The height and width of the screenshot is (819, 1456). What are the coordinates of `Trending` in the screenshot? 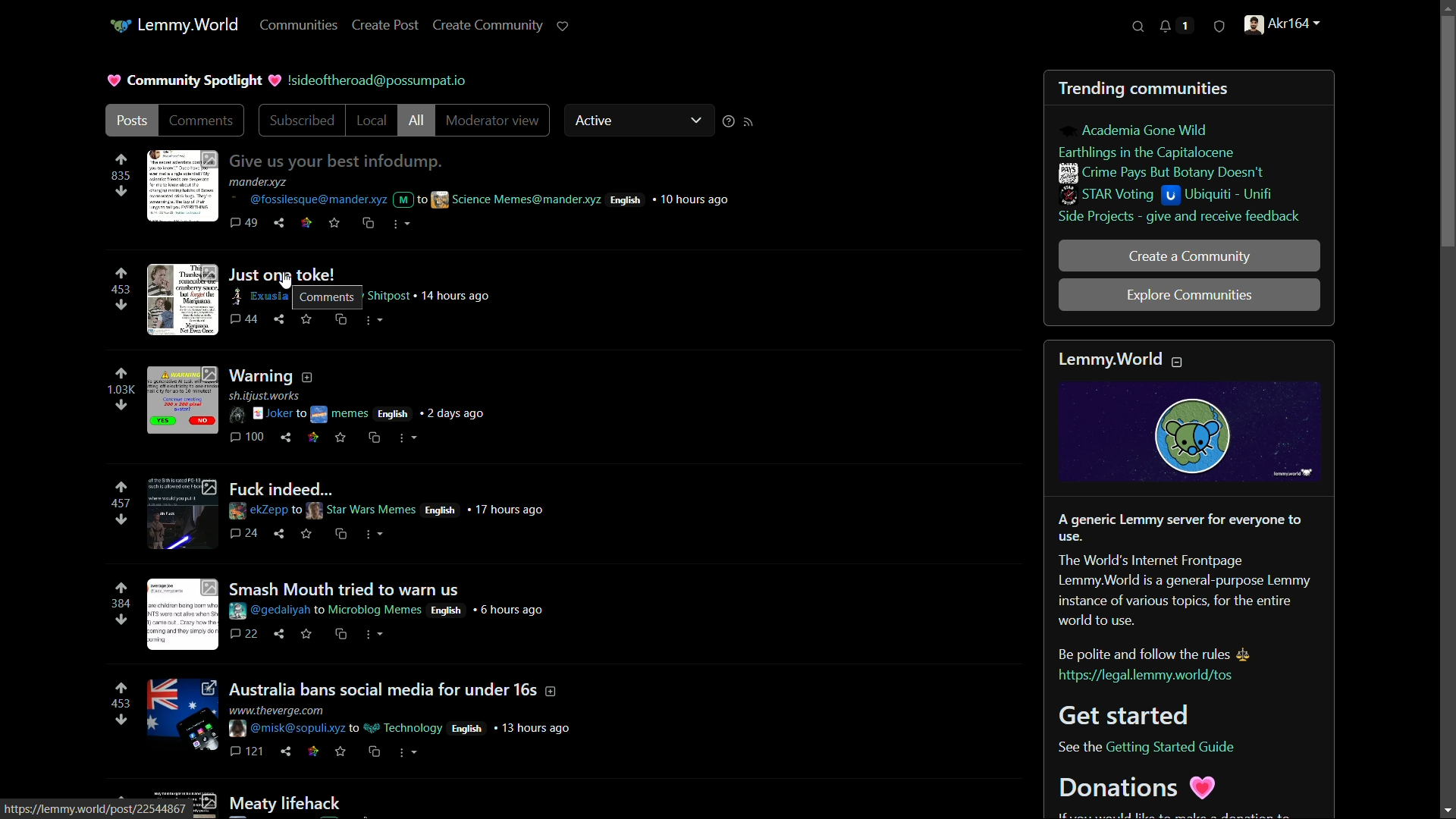 It's located at (1088, 89).